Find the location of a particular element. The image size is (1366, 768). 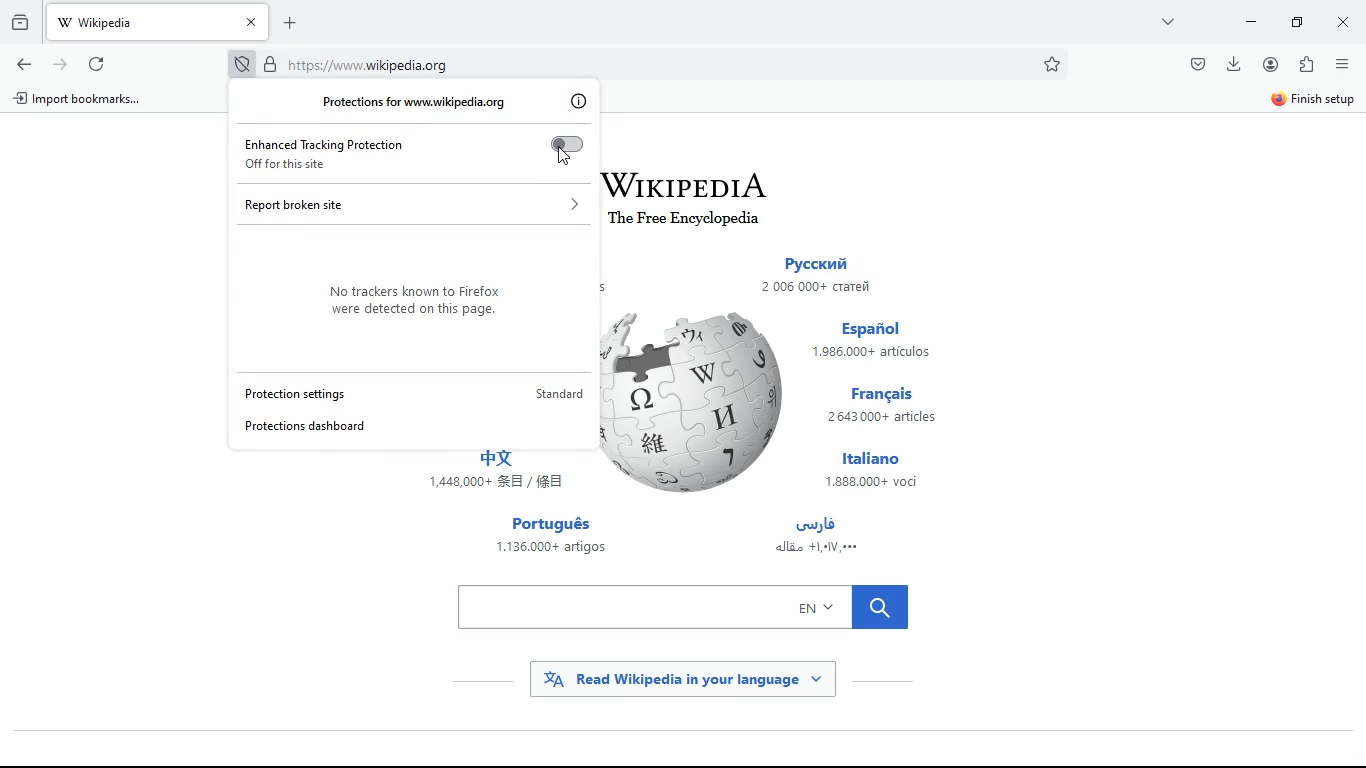

download is located at coordinates (1232, 66).